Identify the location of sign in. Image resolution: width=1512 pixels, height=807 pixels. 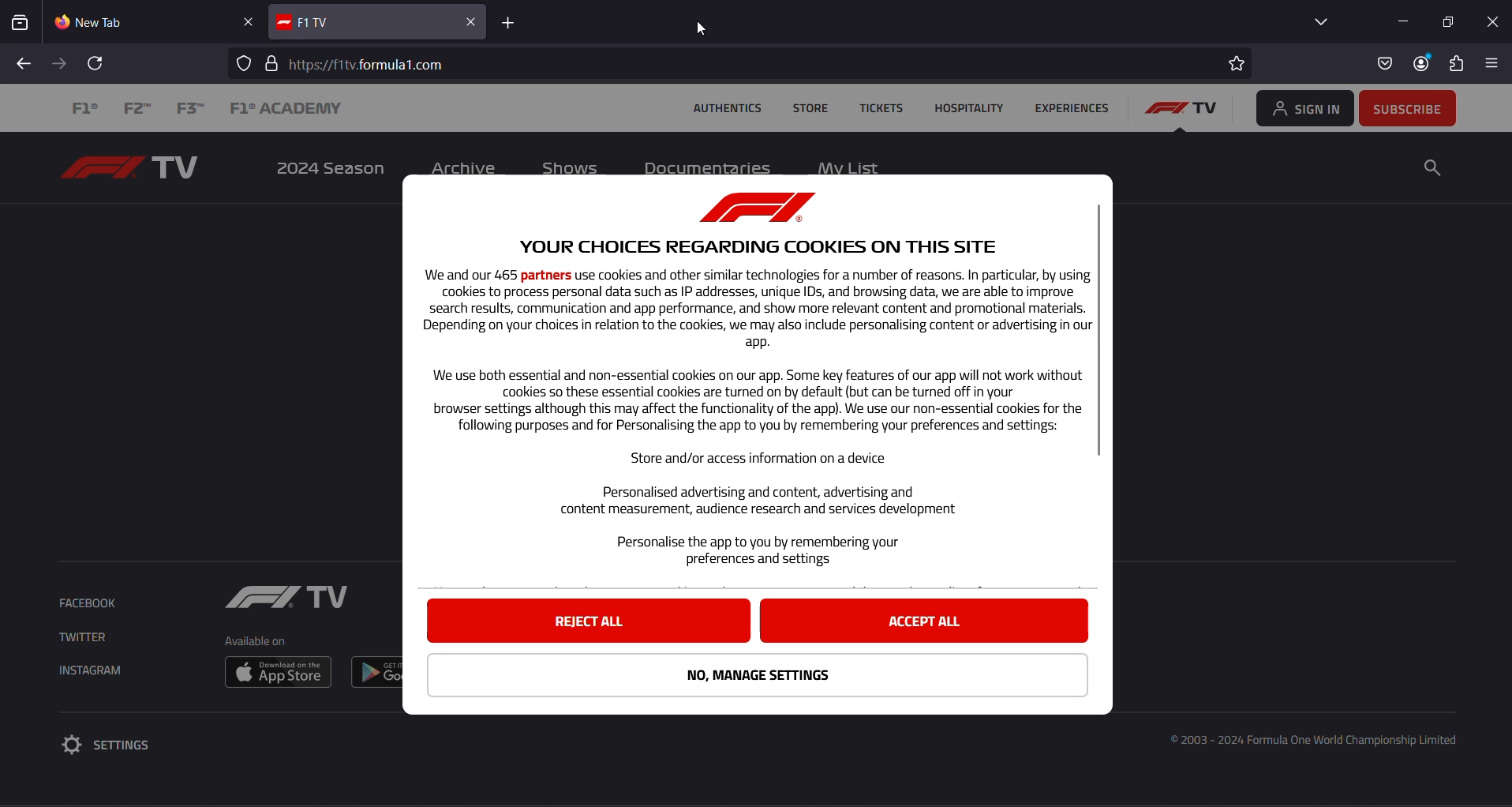
(1302, 107).